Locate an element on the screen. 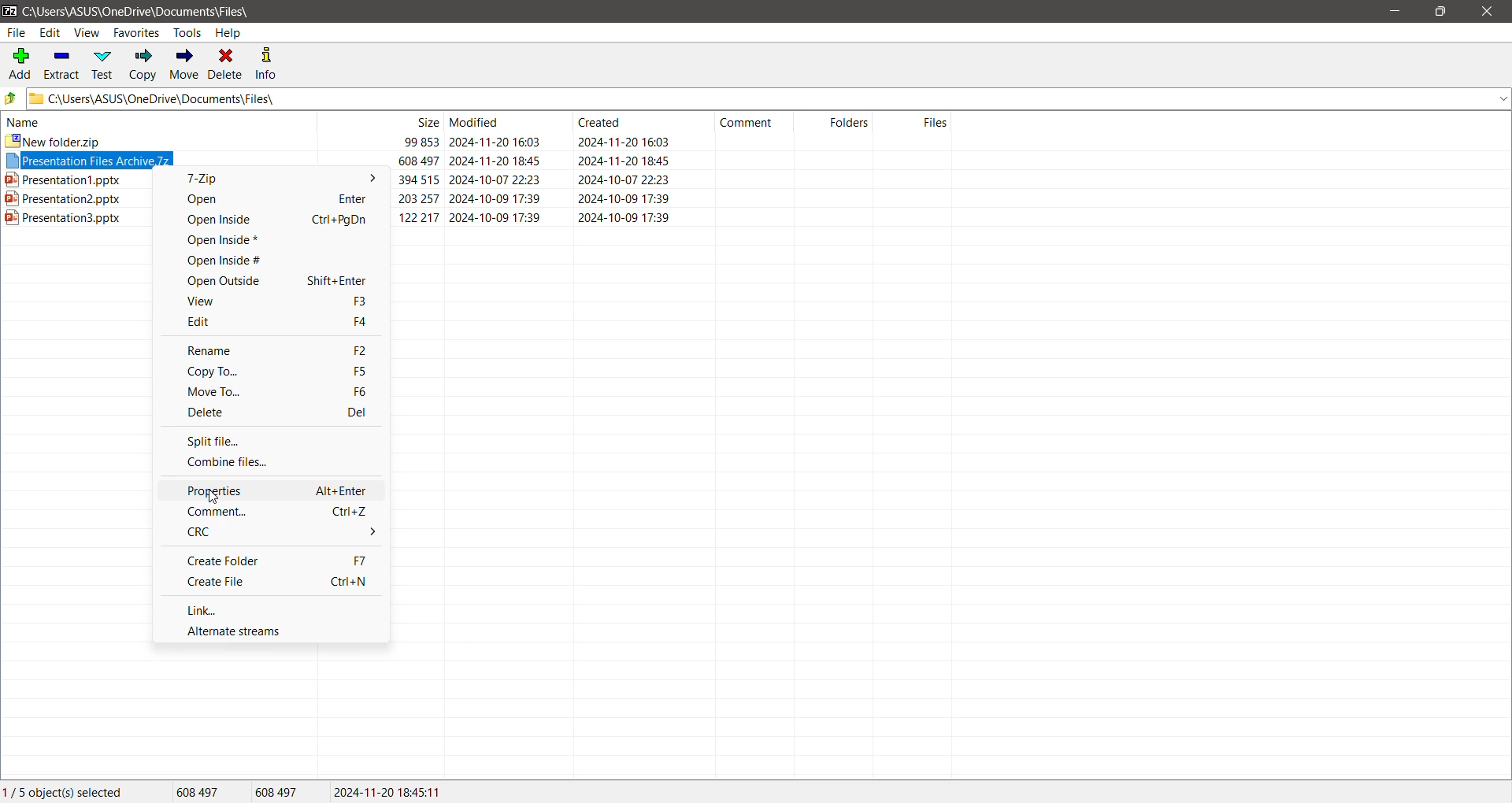 The height and width of the screenshot is (803, 1512). Split file is located at coordinates (219, 441).